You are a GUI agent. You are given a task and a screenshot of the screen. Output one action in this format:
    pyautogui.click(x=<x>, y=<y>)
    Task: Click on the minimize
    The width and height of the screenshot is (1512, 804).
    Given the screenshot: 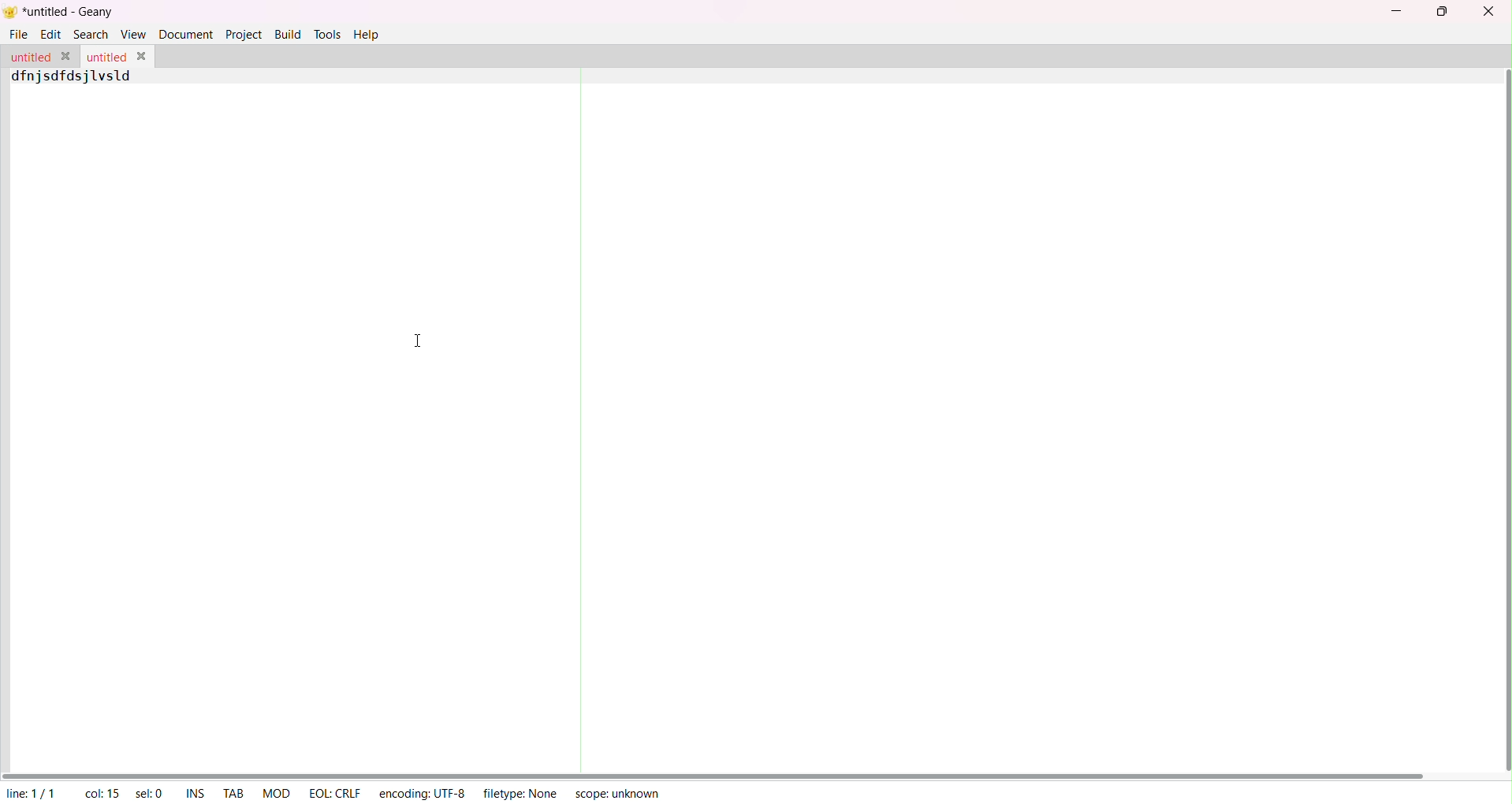 What is the action you would take?
    pyautogui.click(x=1395, y=10)
    